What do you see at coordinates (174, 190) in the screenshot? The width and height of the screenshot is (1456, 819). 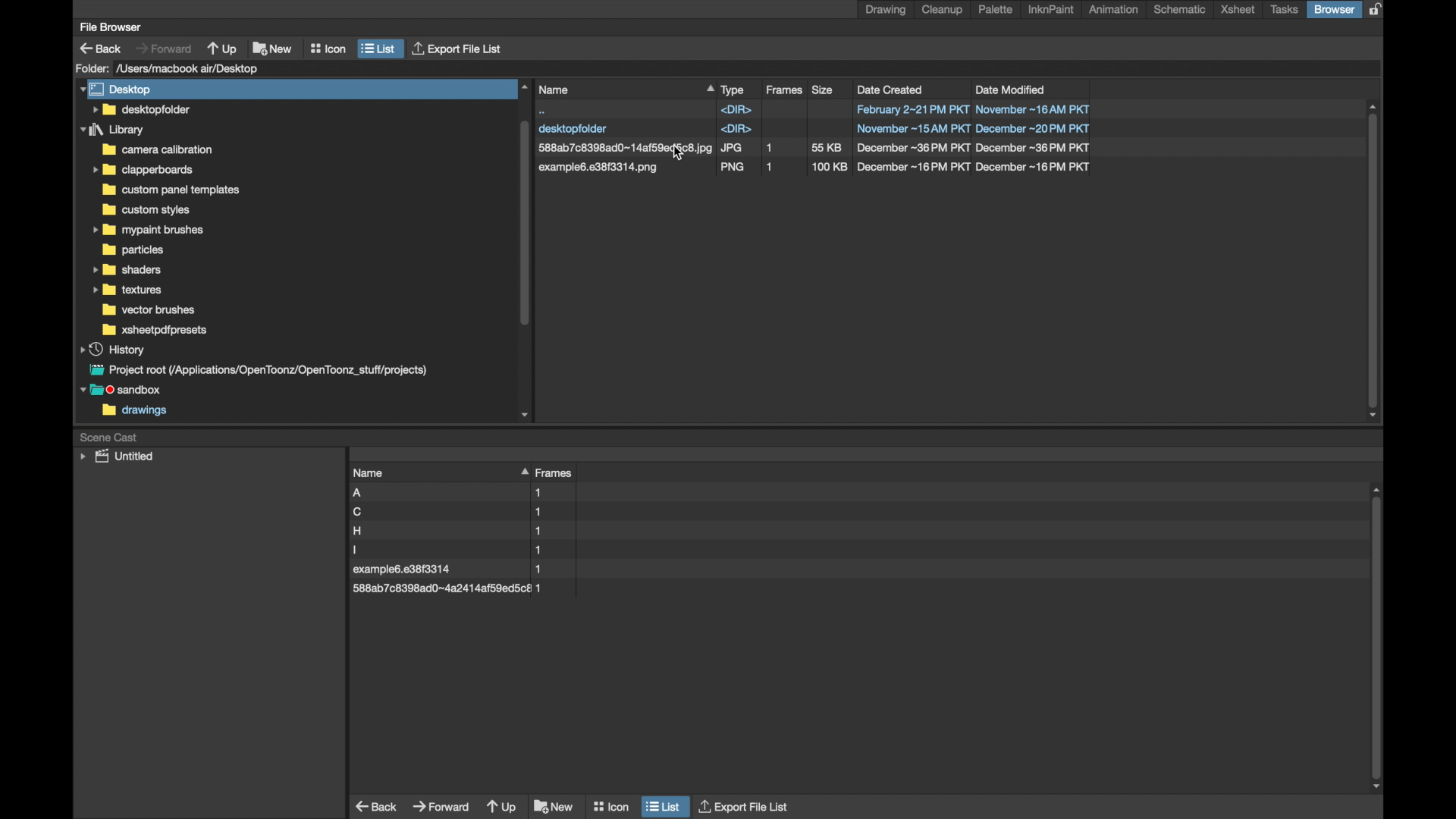 I see `folder` at bounding box center [174, 190].